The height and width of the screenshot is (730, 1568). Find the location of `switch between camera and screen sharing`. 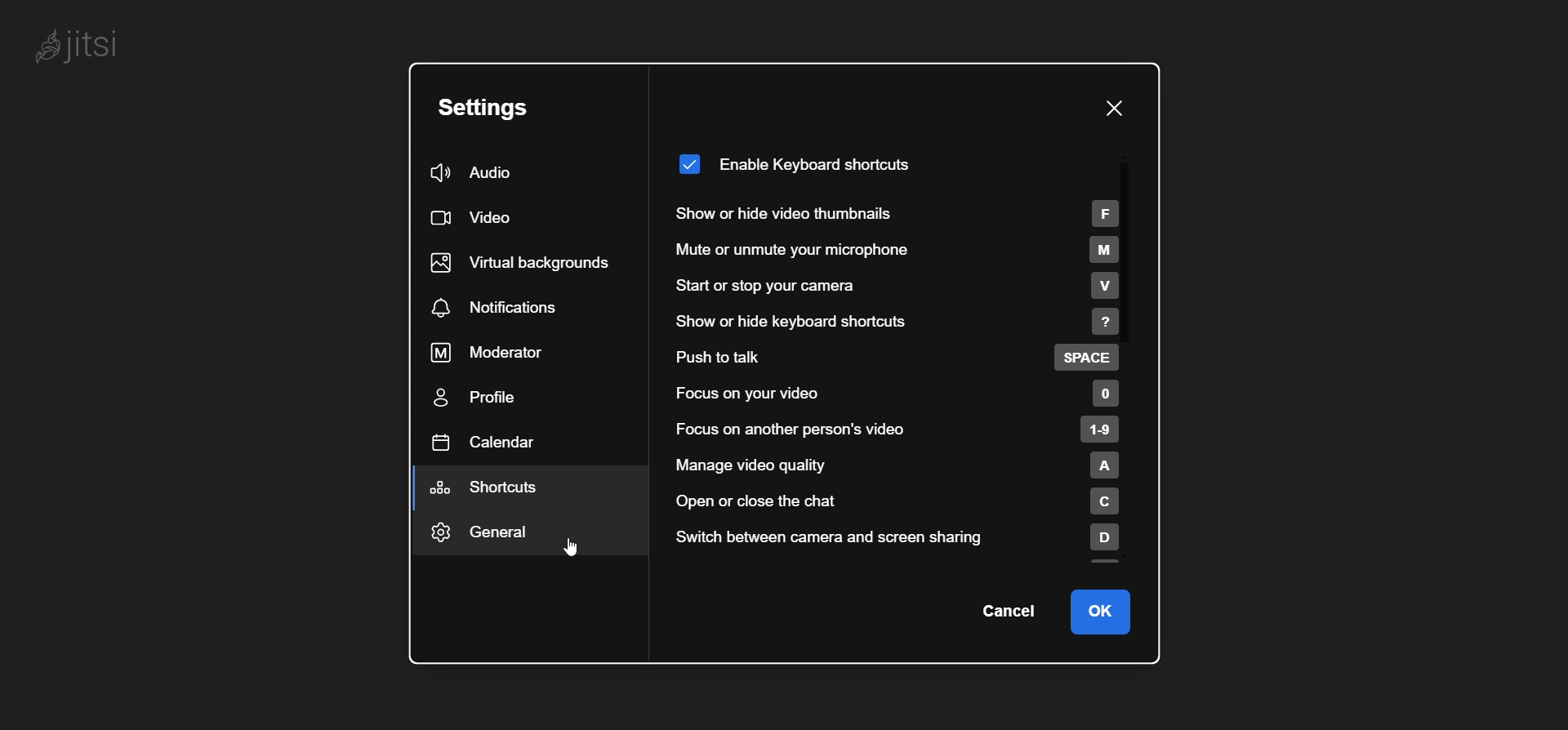

switch between camera and screen sharing is located at coordinates (917, 537).